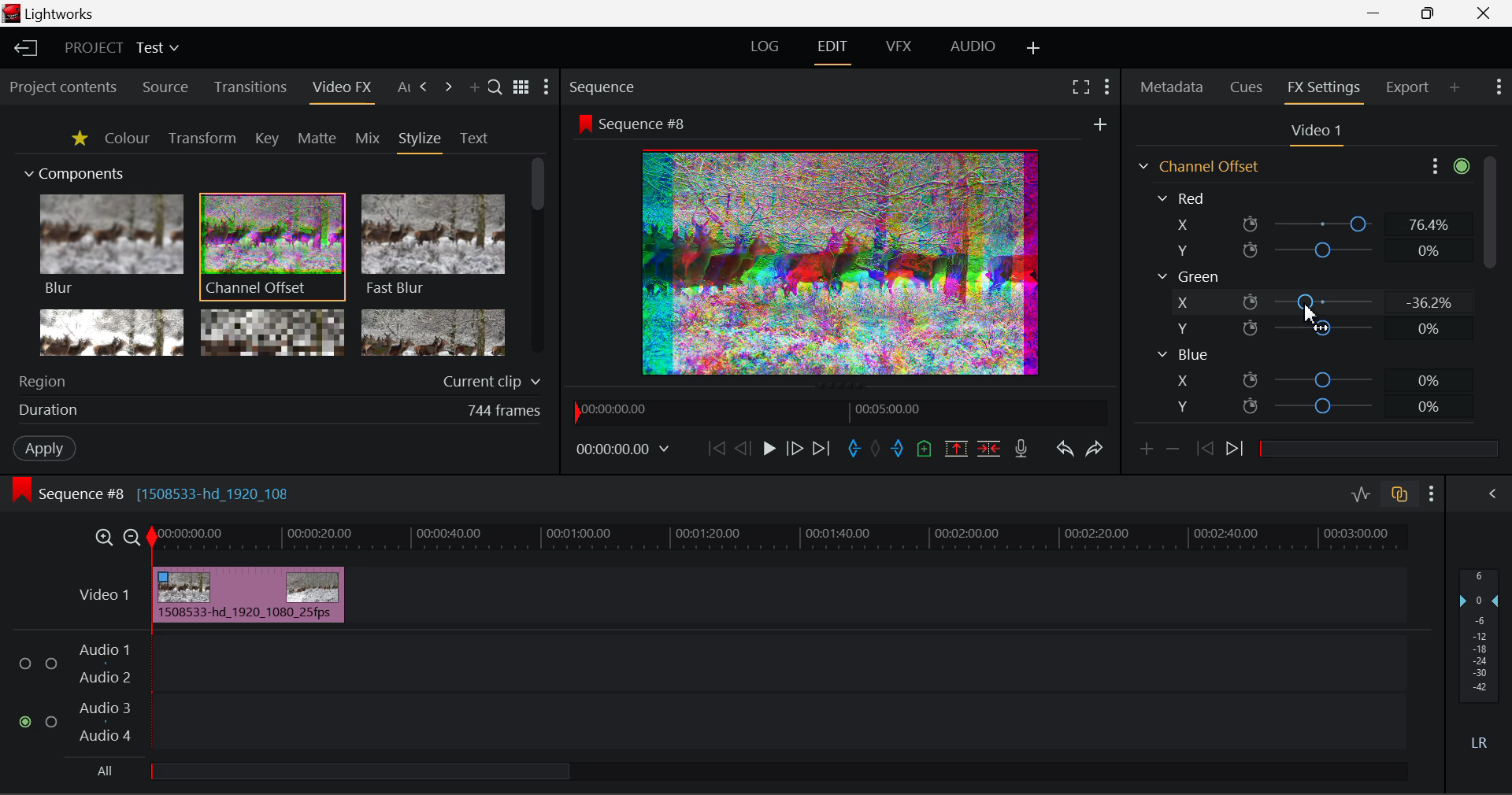 The width and height of the screenshot is (1512, 795). Describe the element at coordinates (1498, 87) in the screenshot. I see `Show Settings` at that location.